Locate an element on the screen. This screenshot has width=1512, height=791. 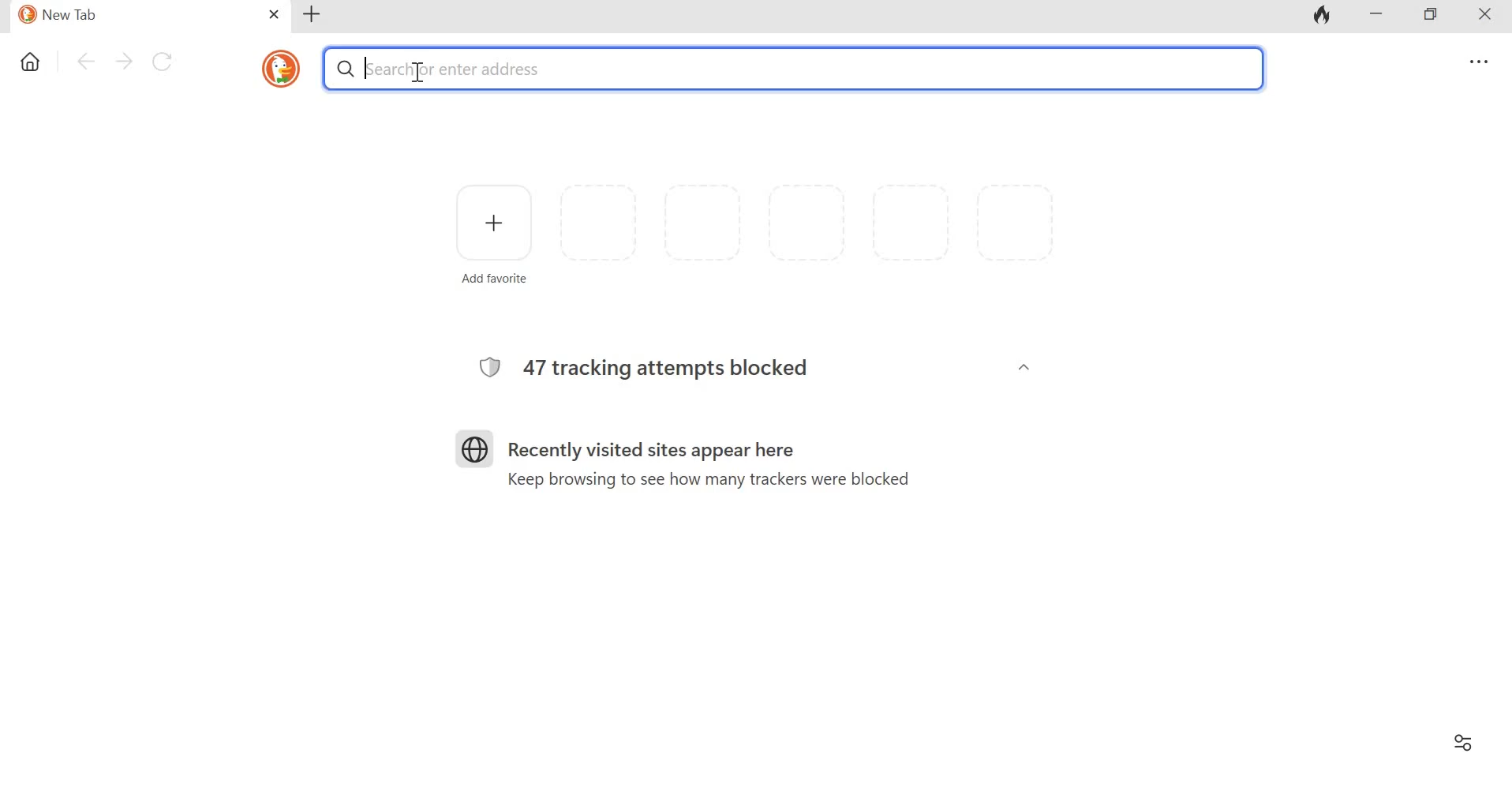
add favorite is located at coordinates (488, 281).